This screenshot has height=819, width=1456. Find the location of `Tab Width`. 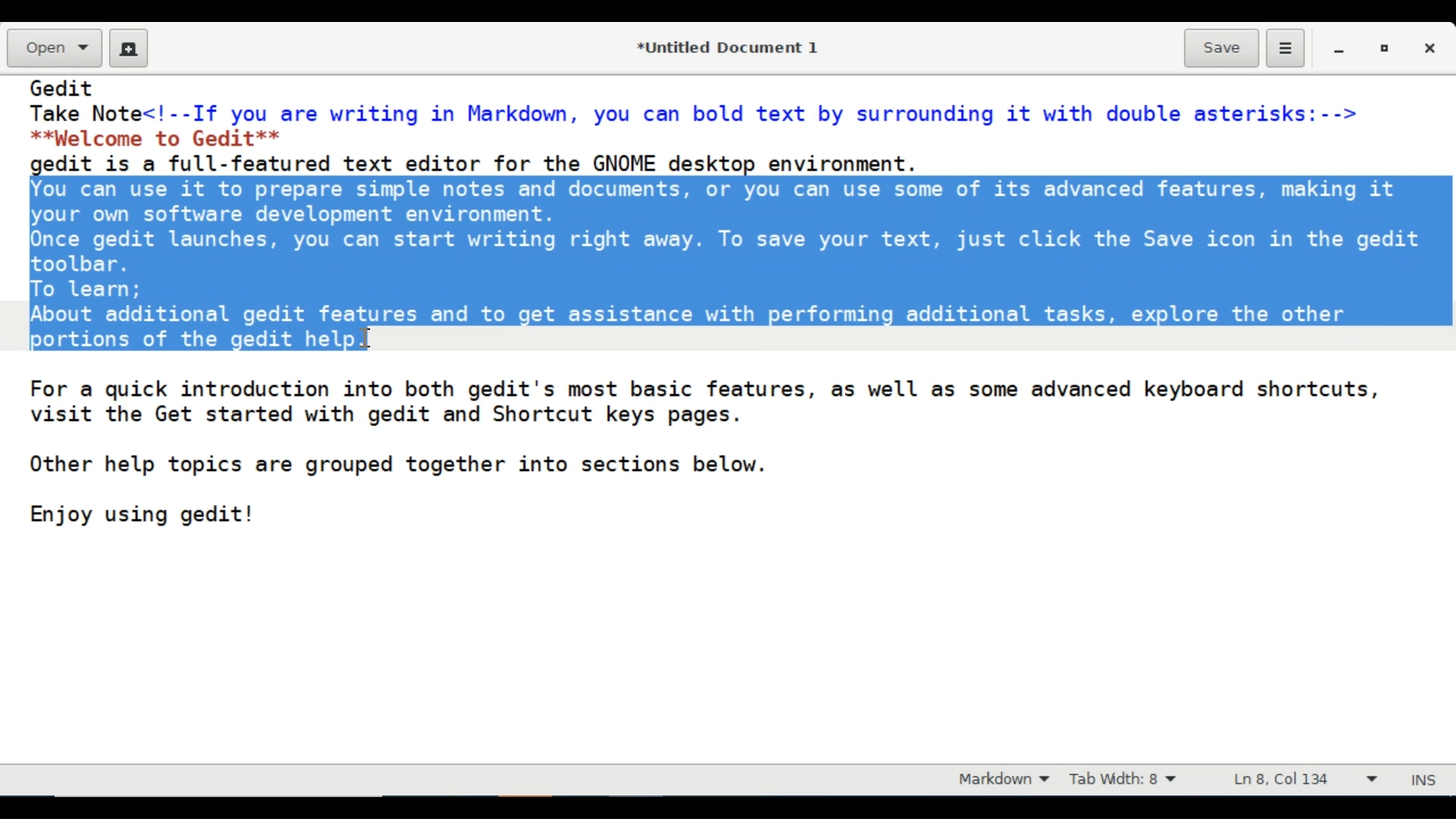

Tab Width is located at coordinates (1134, 780).